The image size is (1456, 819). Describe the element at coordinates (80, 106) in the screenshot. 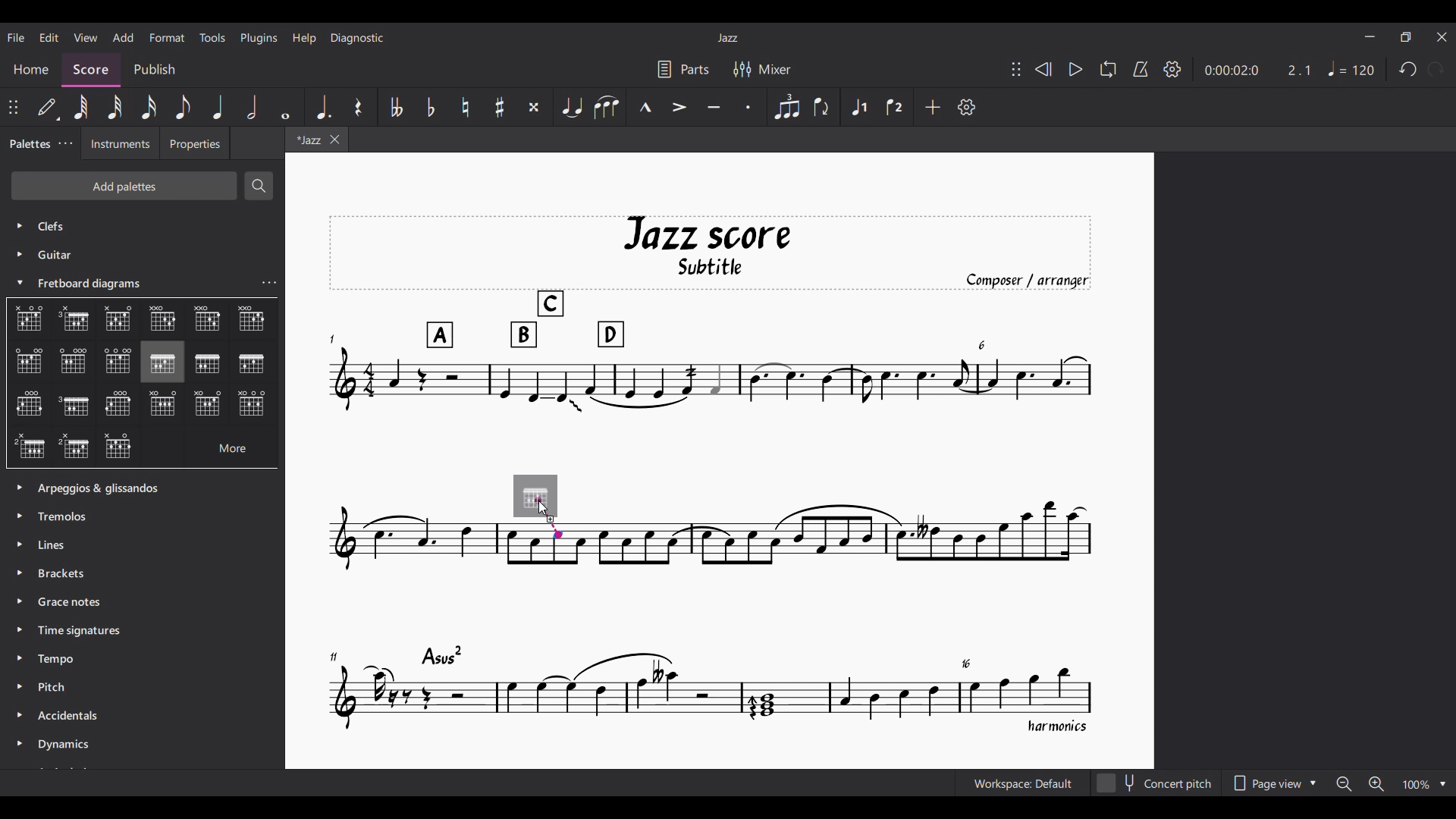

I see `64th note` at that location.